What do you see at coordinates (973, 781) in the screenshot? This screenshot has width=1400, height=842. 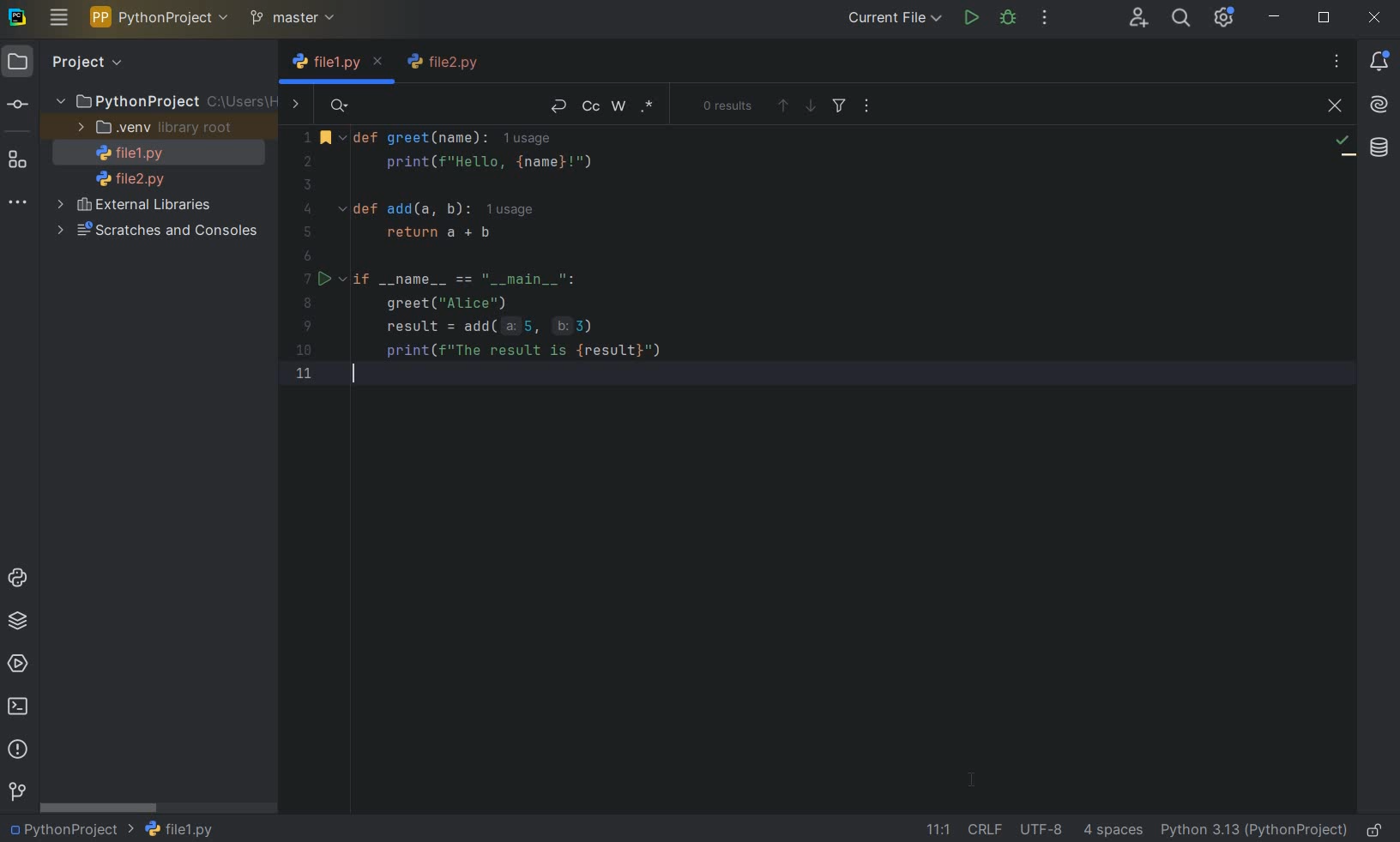 I see `CURSOR POSITION AFTER_LAST_ACTION` at bounding box center [973, 781].